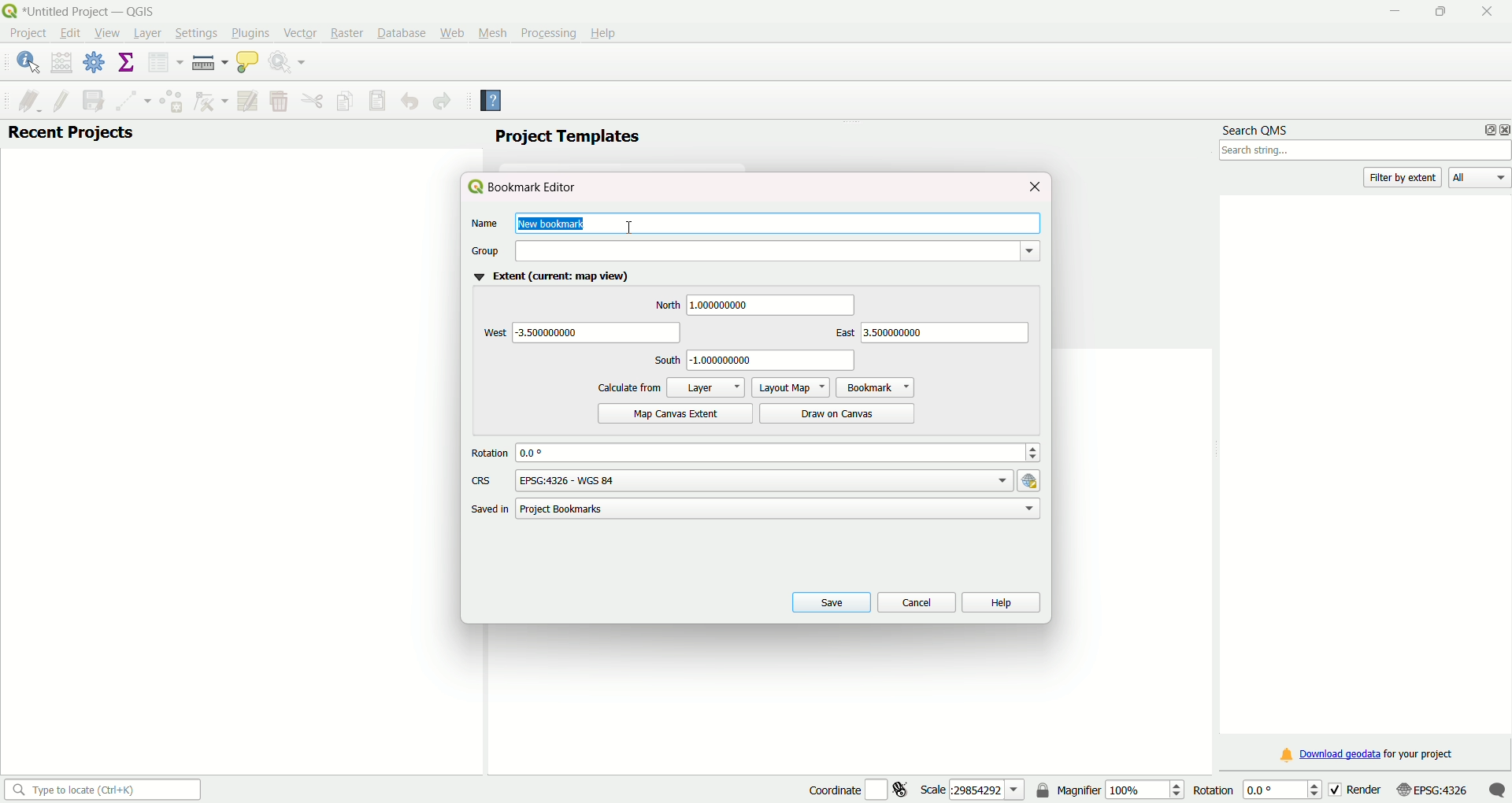  What do you see at coordinates (409, 102) in the screenshot?
I see `undo` at bounding box center [409, 102].